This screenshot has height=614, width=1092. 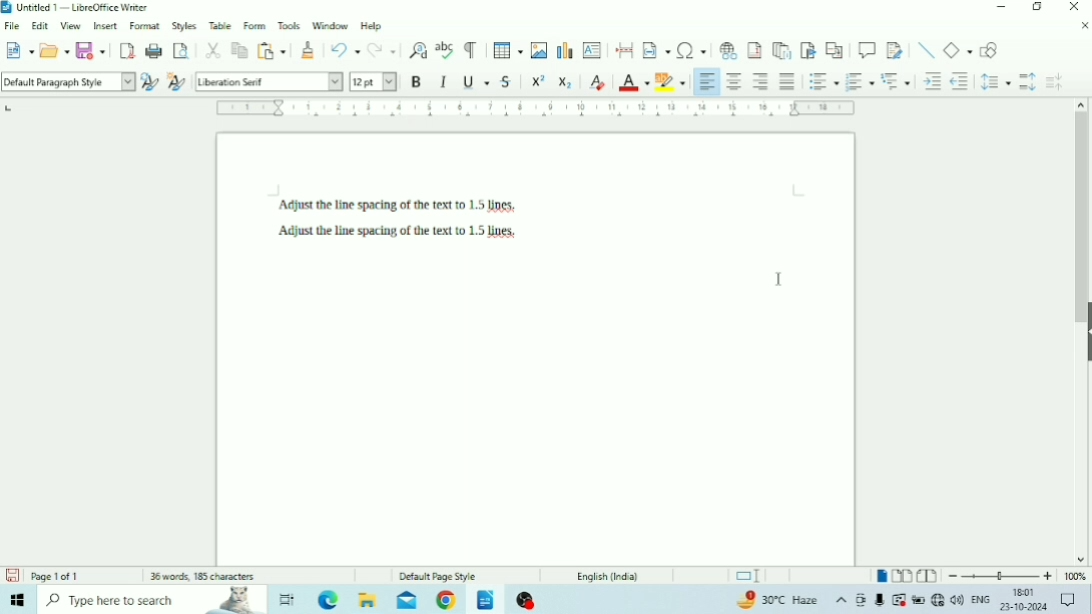 I want to click on Insert Endnote, so click(x=781, y=49).